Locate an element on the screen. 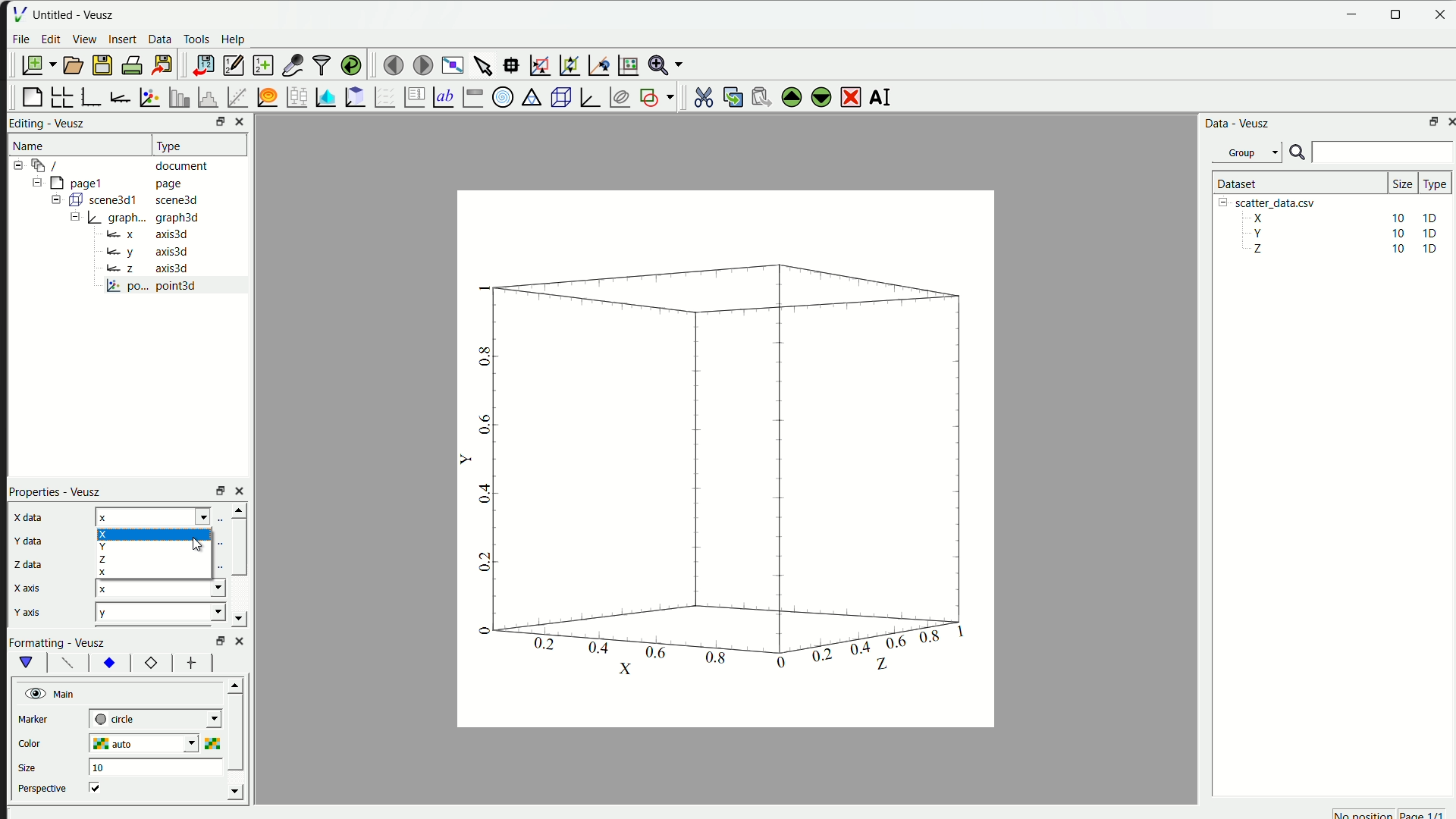 The image size is (1456, 819). | Dataset is located at coordinates (1238, 178).